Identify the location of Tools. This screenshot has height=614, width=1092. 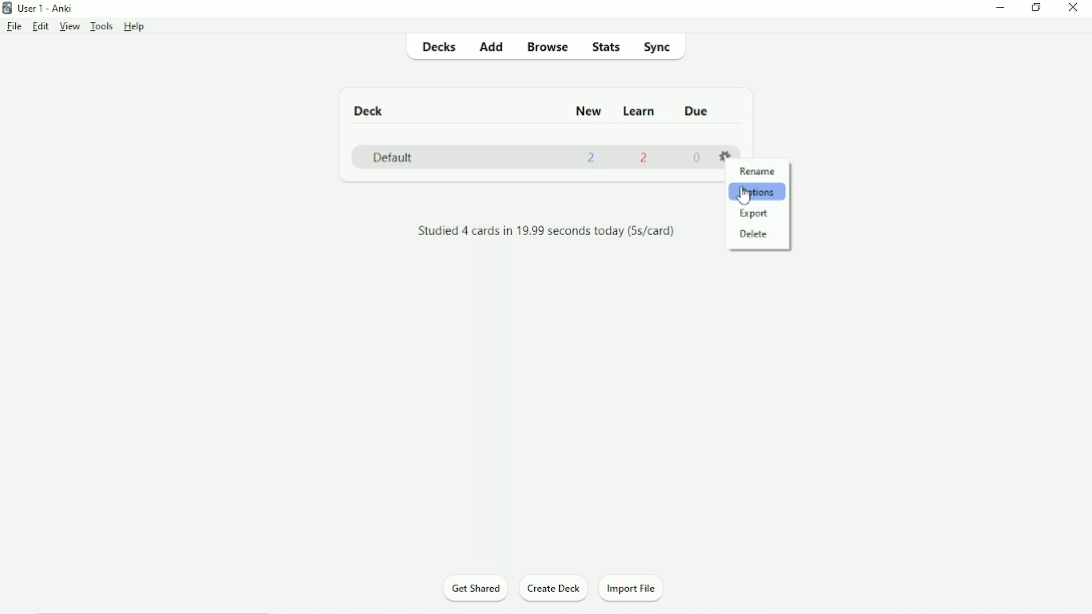
(103, 27).